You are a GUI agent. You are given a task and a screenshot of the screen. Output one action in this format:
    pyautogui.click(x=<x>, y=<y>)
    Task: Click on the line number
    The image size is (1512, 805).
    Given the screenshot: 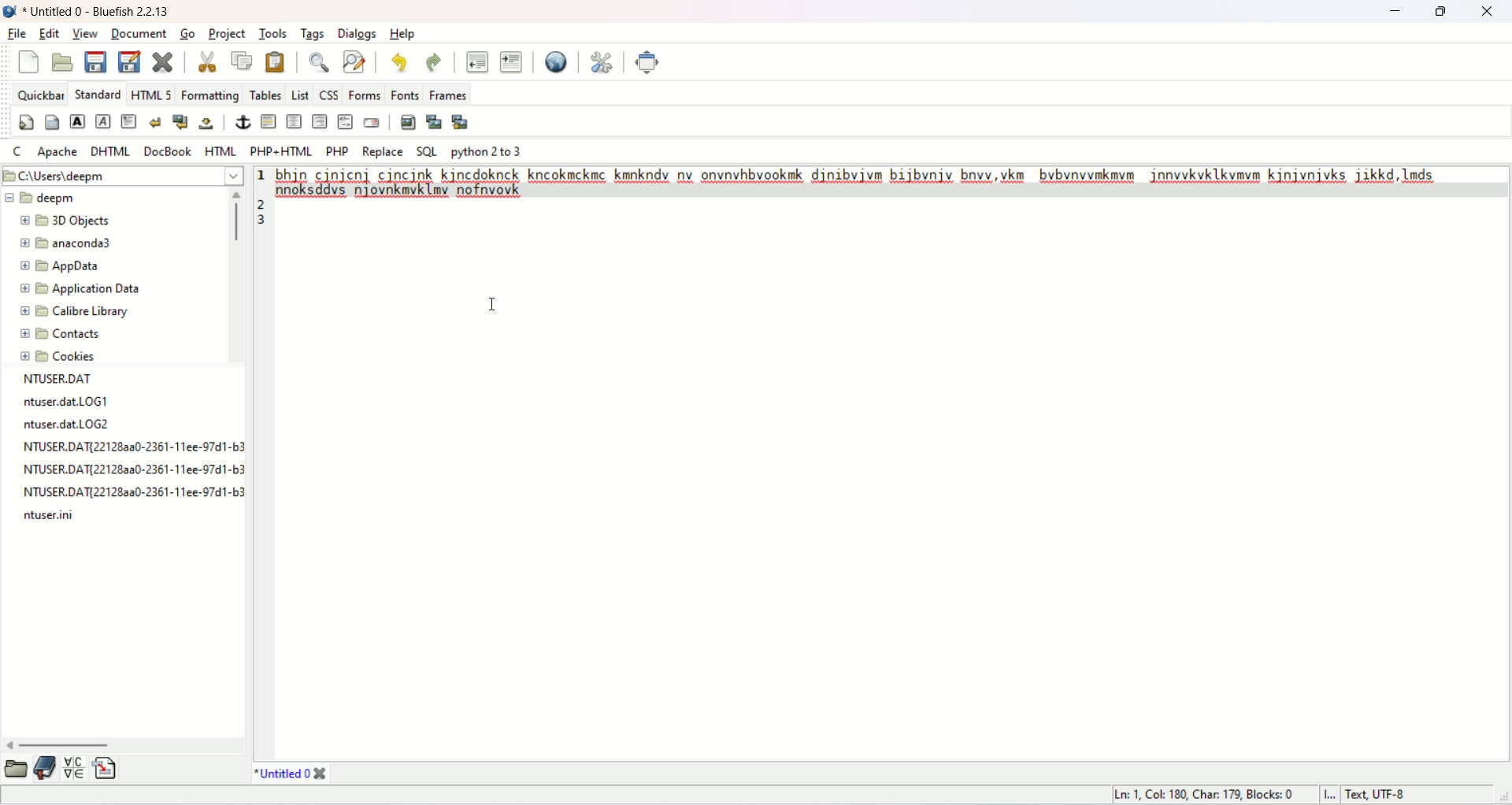 What is the action you would take?
    pyautogui.click(x=263, y=198)
    